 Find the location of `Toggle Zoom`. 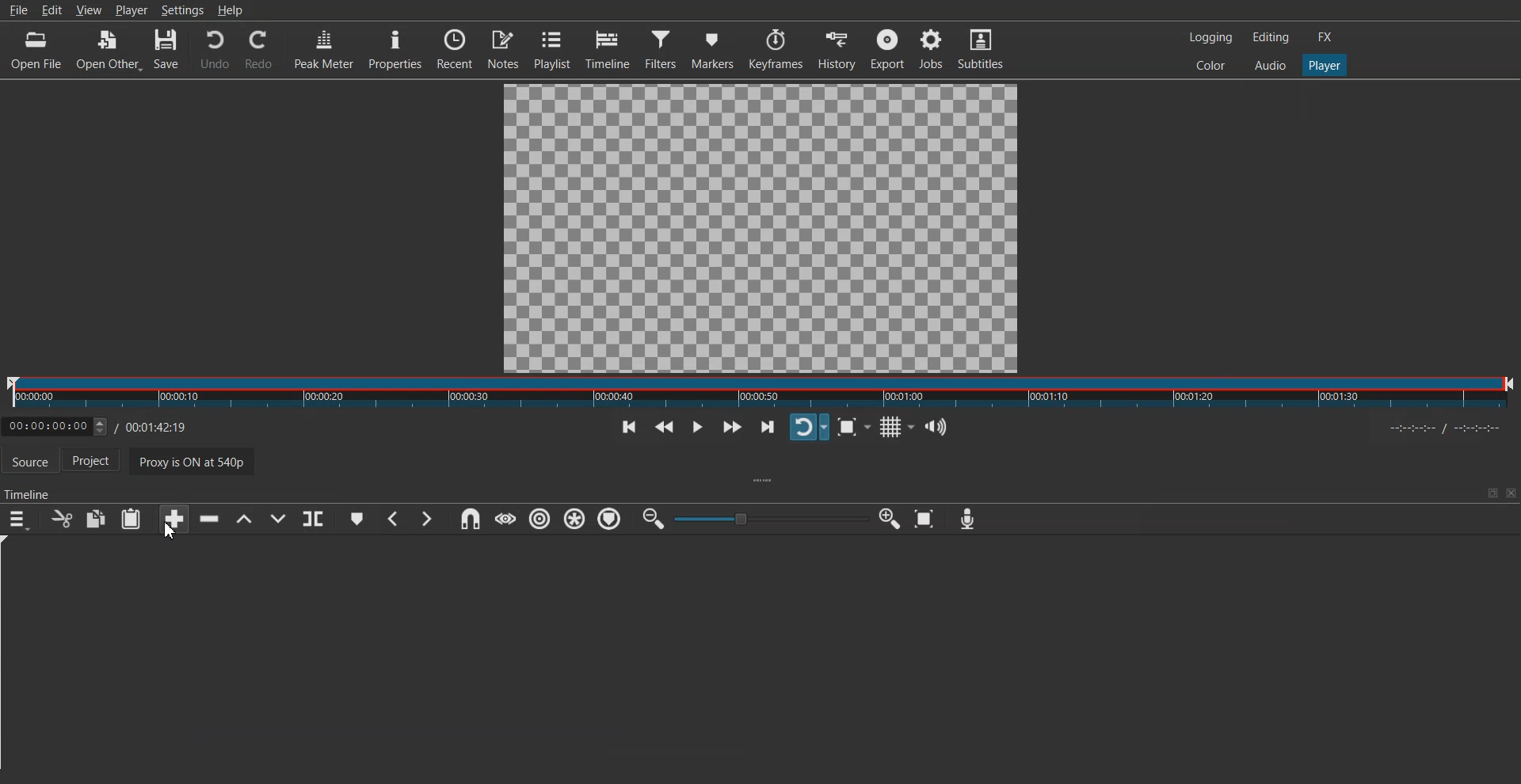

Toggle Zoom is located at coordinates (849, 428).